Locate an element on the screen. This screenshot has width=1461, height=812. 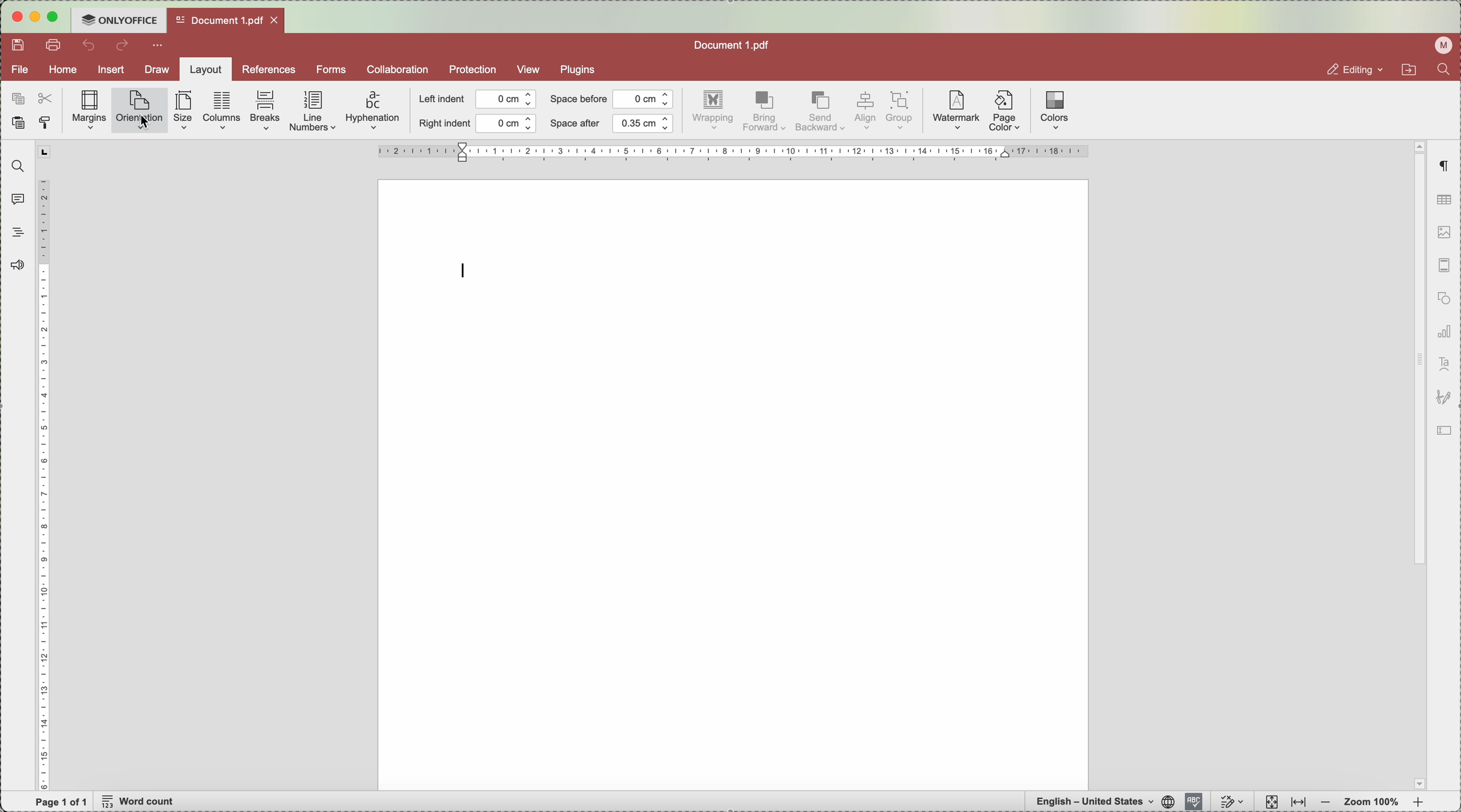
space after is located at coordinates (612, 124).